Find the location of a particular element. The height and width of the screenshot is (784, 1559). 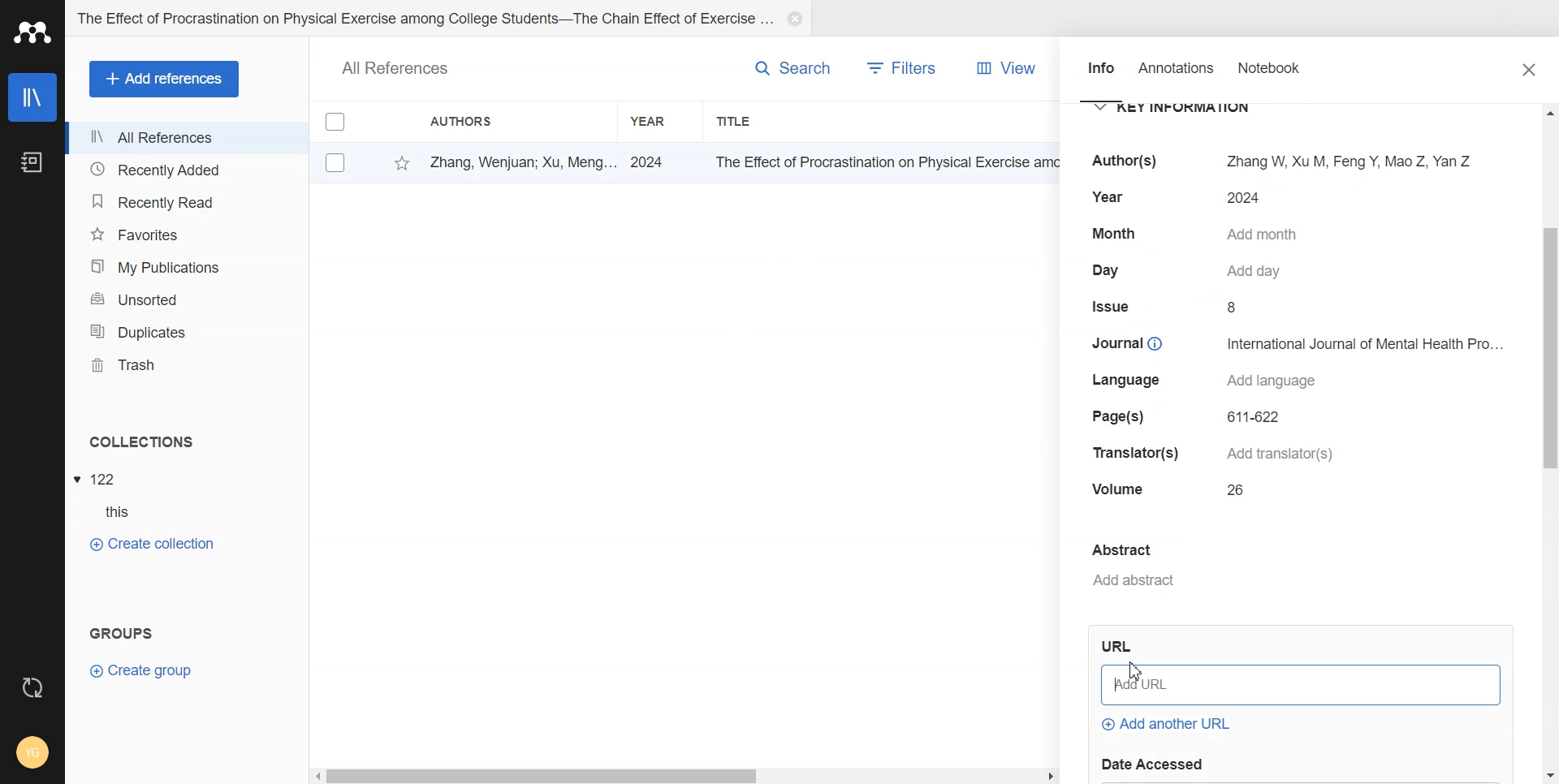

Authors is located at coordinates (491, 122).